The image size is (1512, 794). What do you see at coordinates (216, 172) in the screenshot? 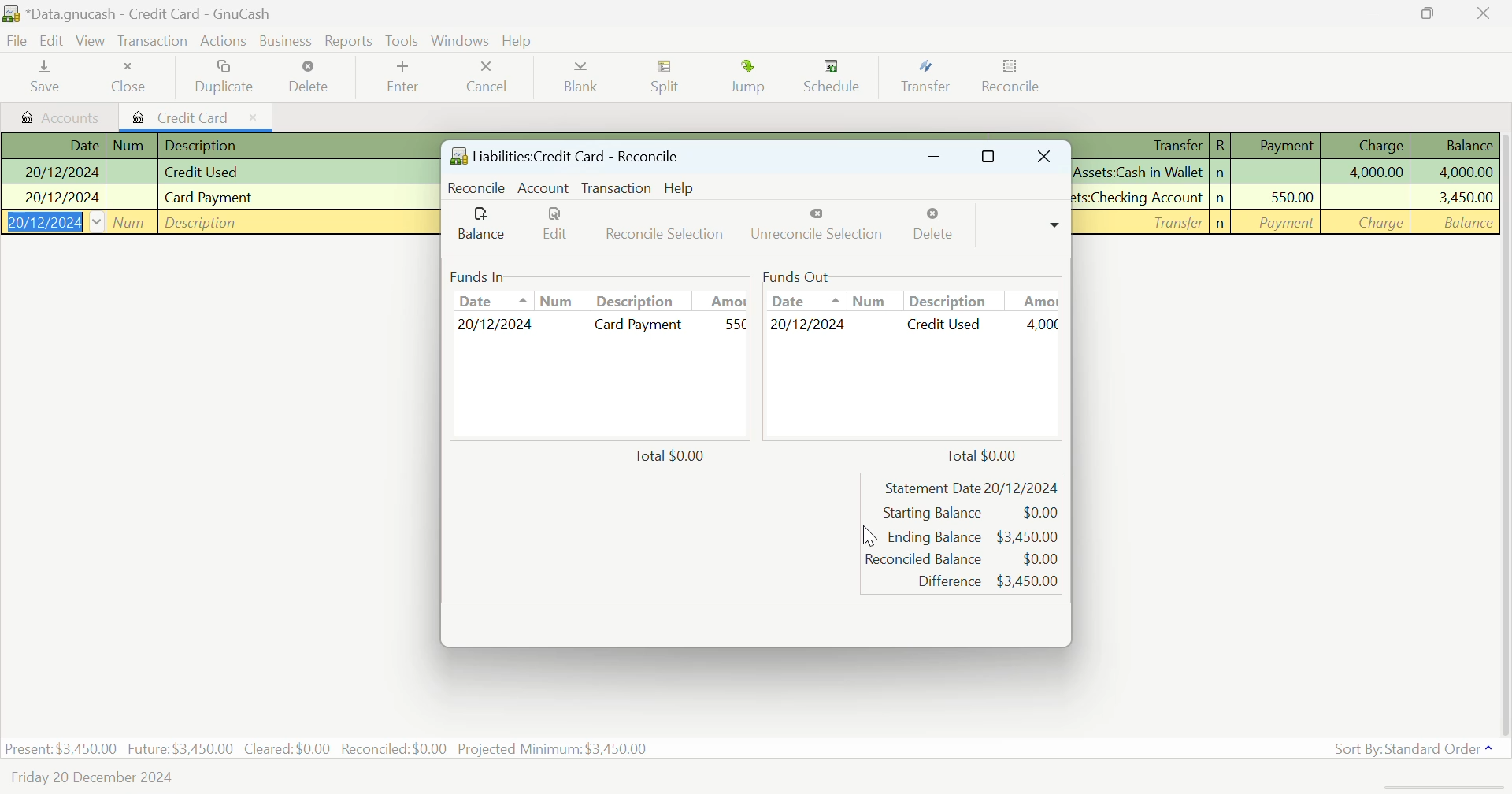
I see `Credit Used Transaction` at bounding box center [216, 172].